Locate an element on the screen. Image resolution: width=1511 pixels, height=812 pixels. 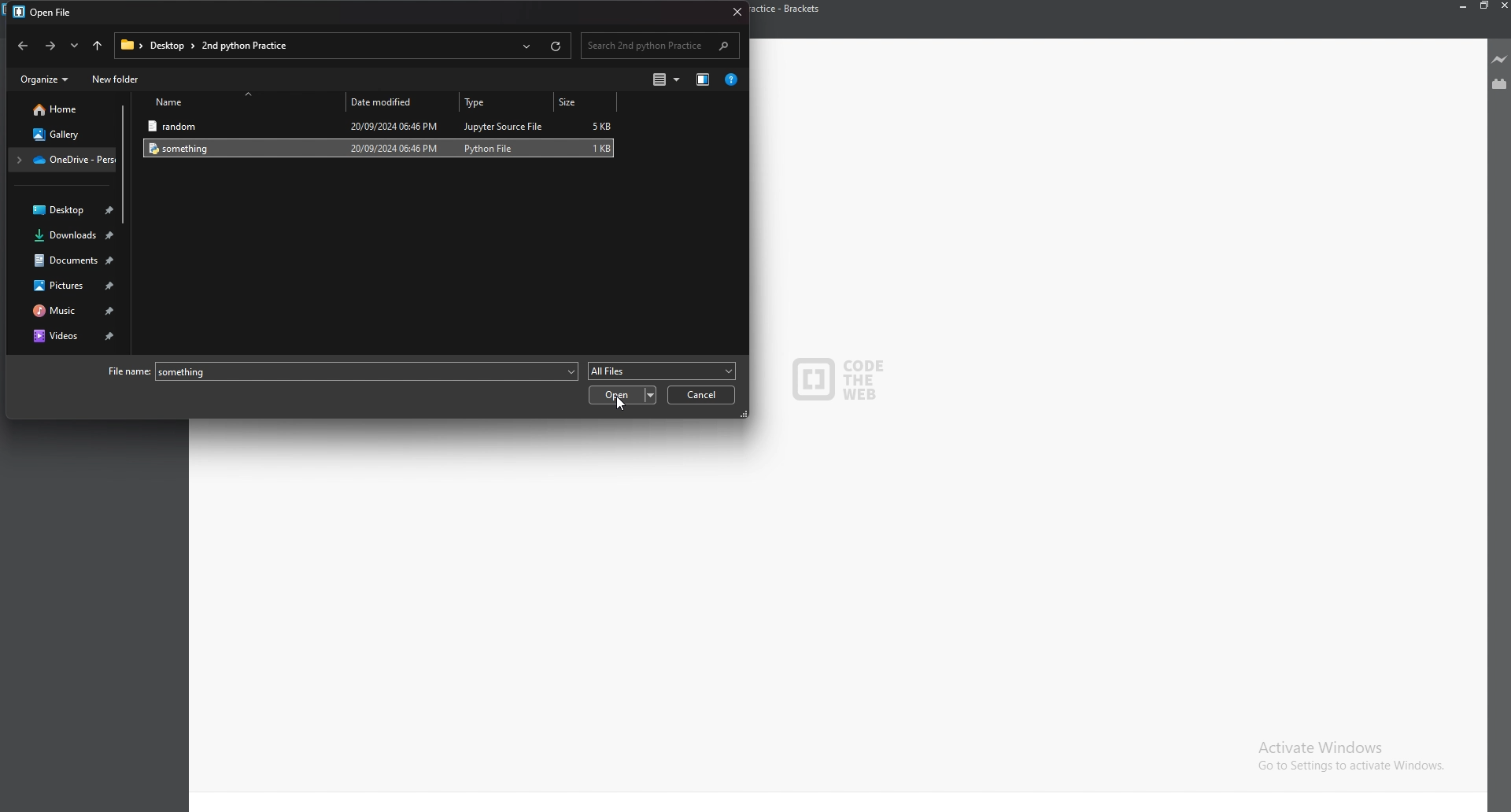
home is located at coordinates (59, 109).